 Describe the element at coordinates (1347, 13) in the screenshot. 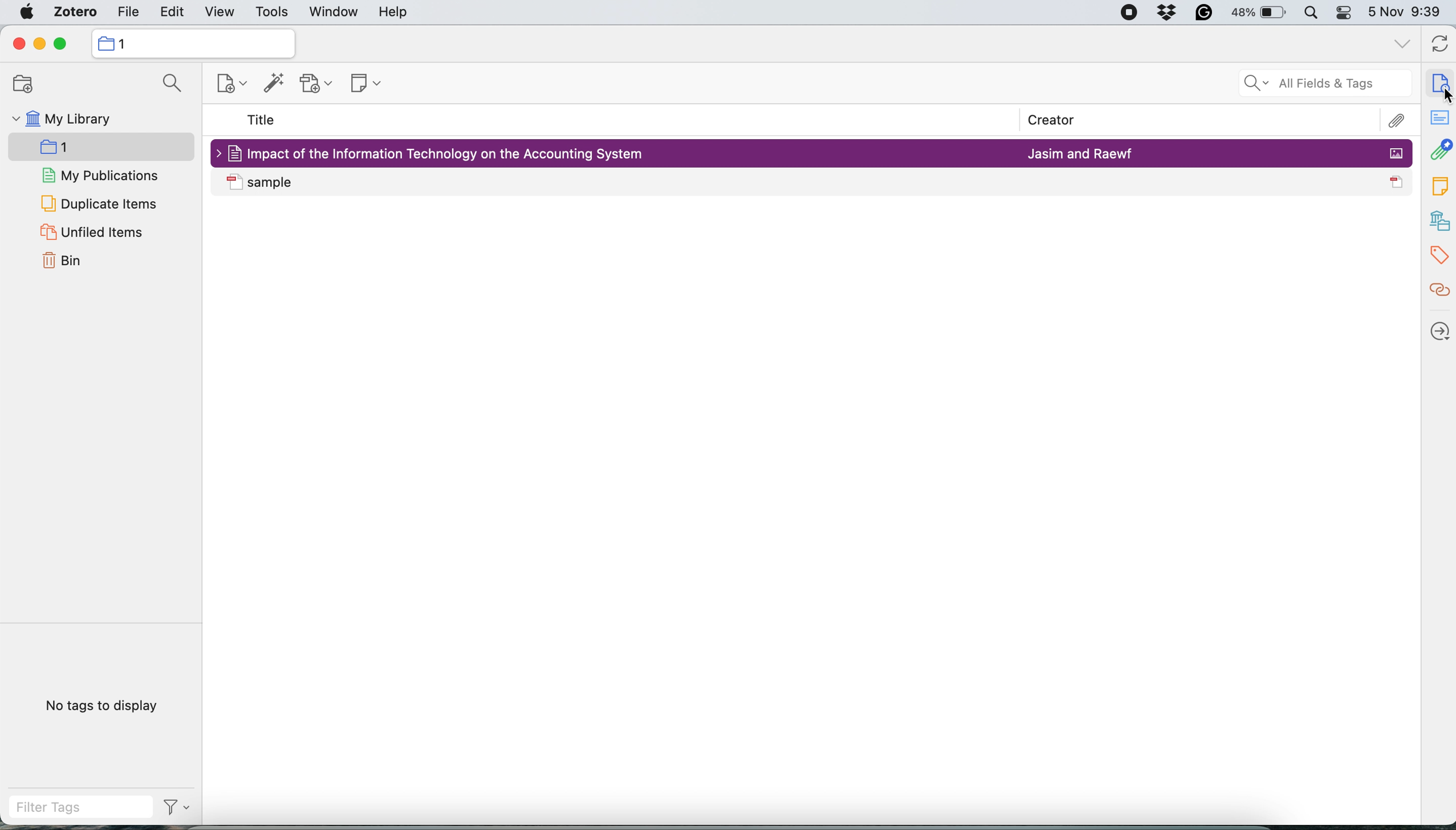

I see `control center` at that location.